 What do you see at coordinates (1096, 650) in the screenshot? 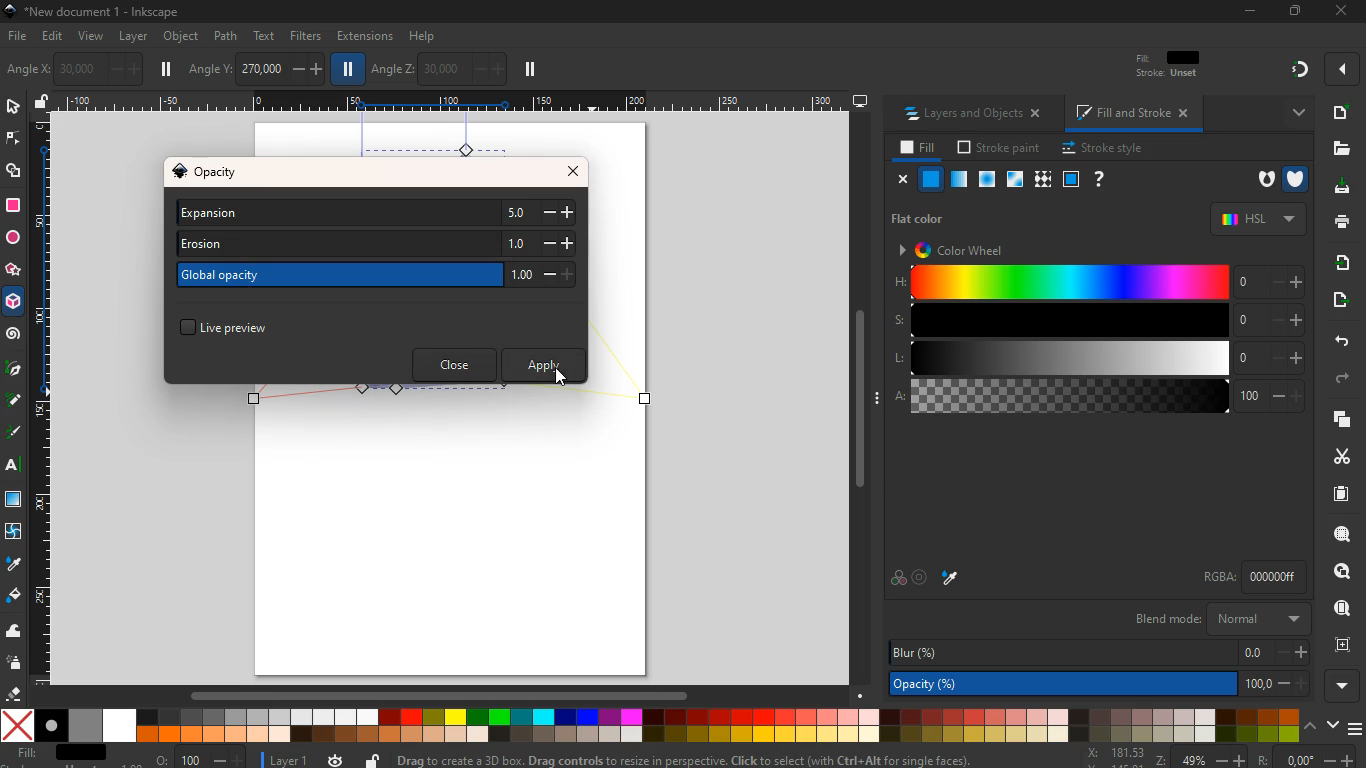
I see `blur` at bounding box center [1096, 650].